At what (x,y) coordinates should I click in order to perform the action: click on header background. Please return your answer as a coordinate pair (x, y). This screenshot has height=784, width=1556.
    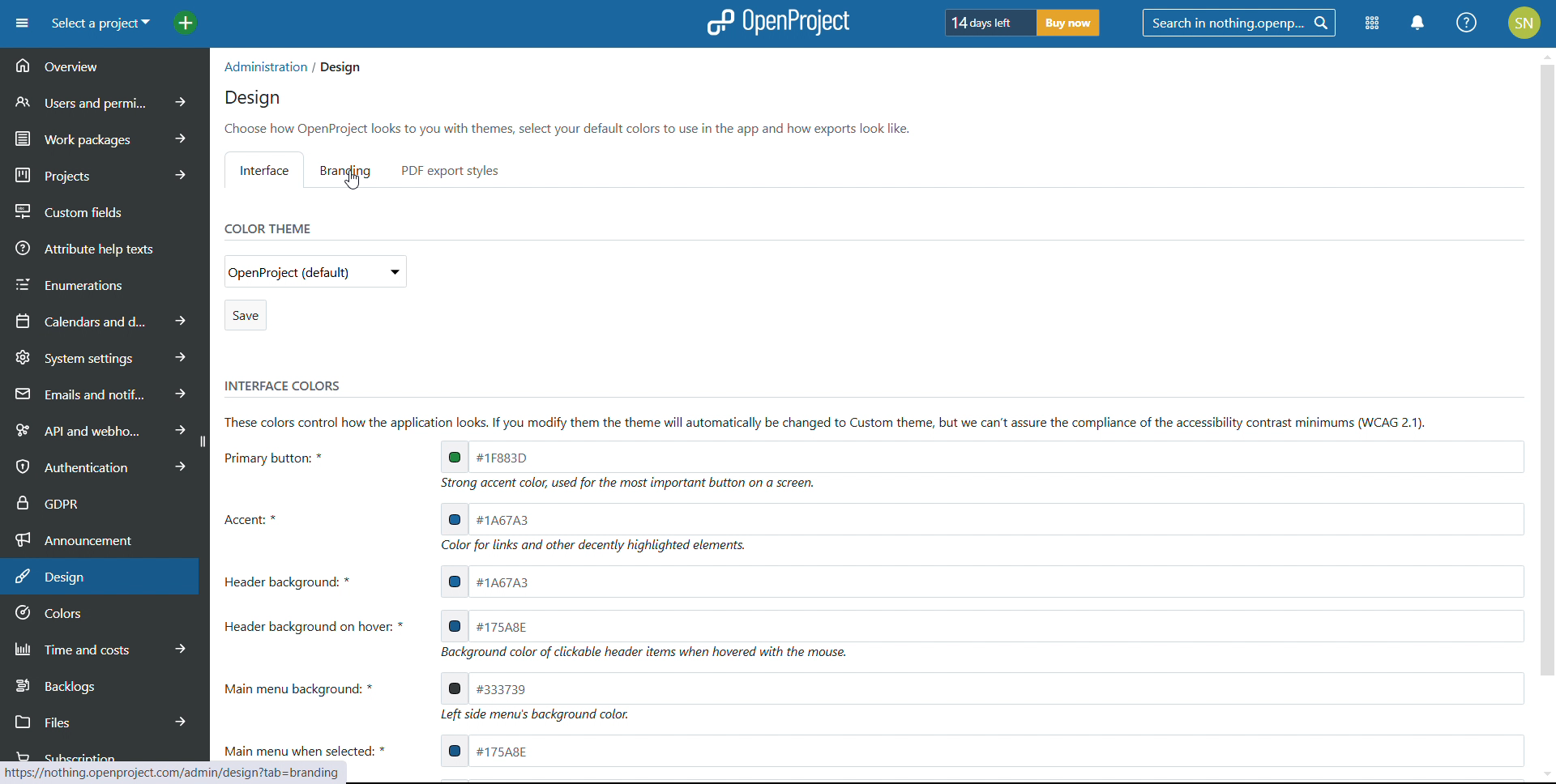
    Looking at the image, I should click on (981, 582).